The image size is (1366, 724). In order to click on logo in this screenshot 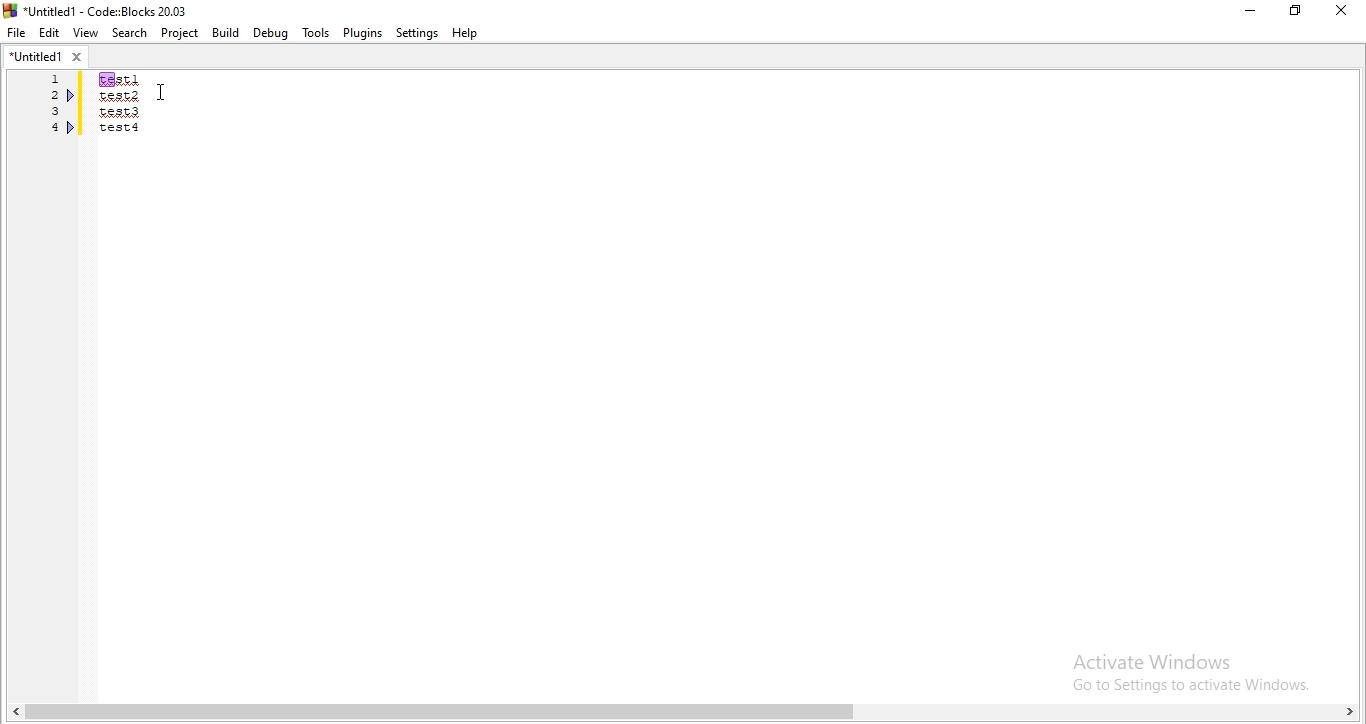, I will do `click(98, 9)`.